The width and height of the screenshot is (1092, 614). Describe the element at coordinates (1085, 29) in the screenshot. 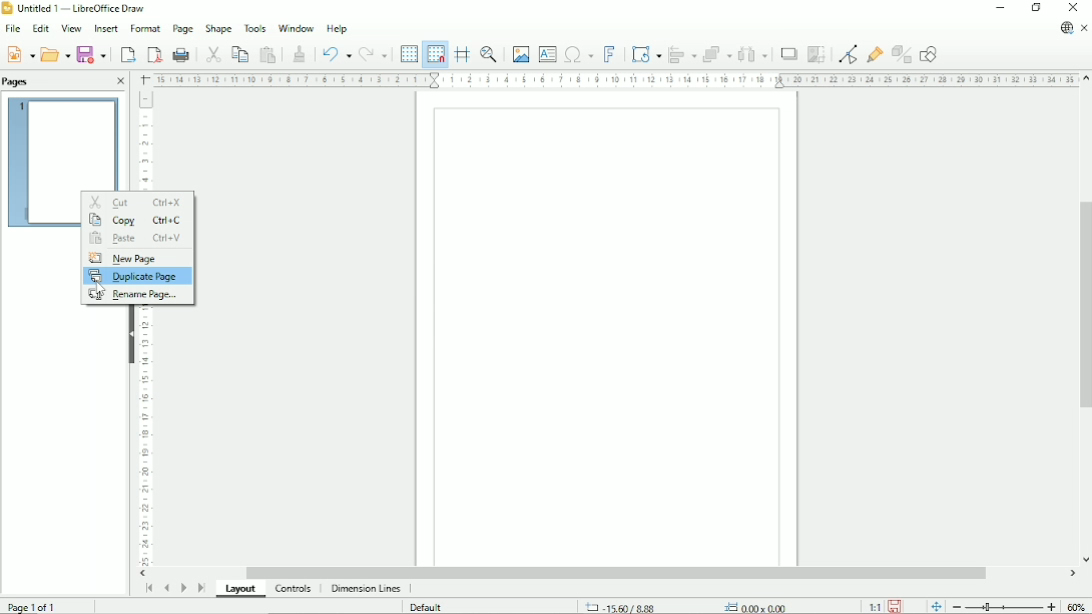

I see `Close document` at that location.